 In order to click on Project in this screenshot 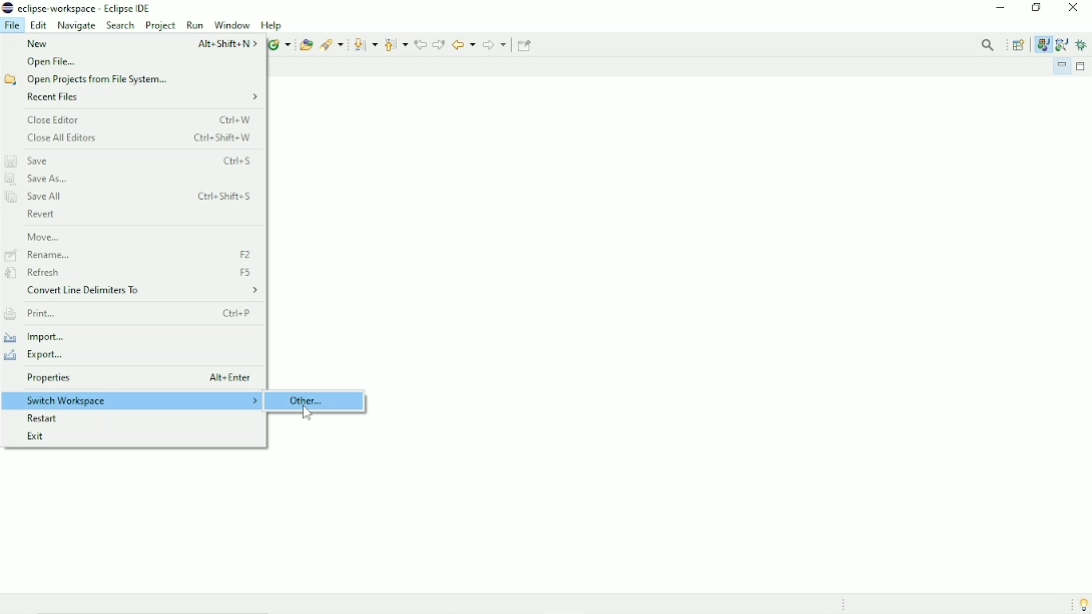, I will do `click(161, 26)`.